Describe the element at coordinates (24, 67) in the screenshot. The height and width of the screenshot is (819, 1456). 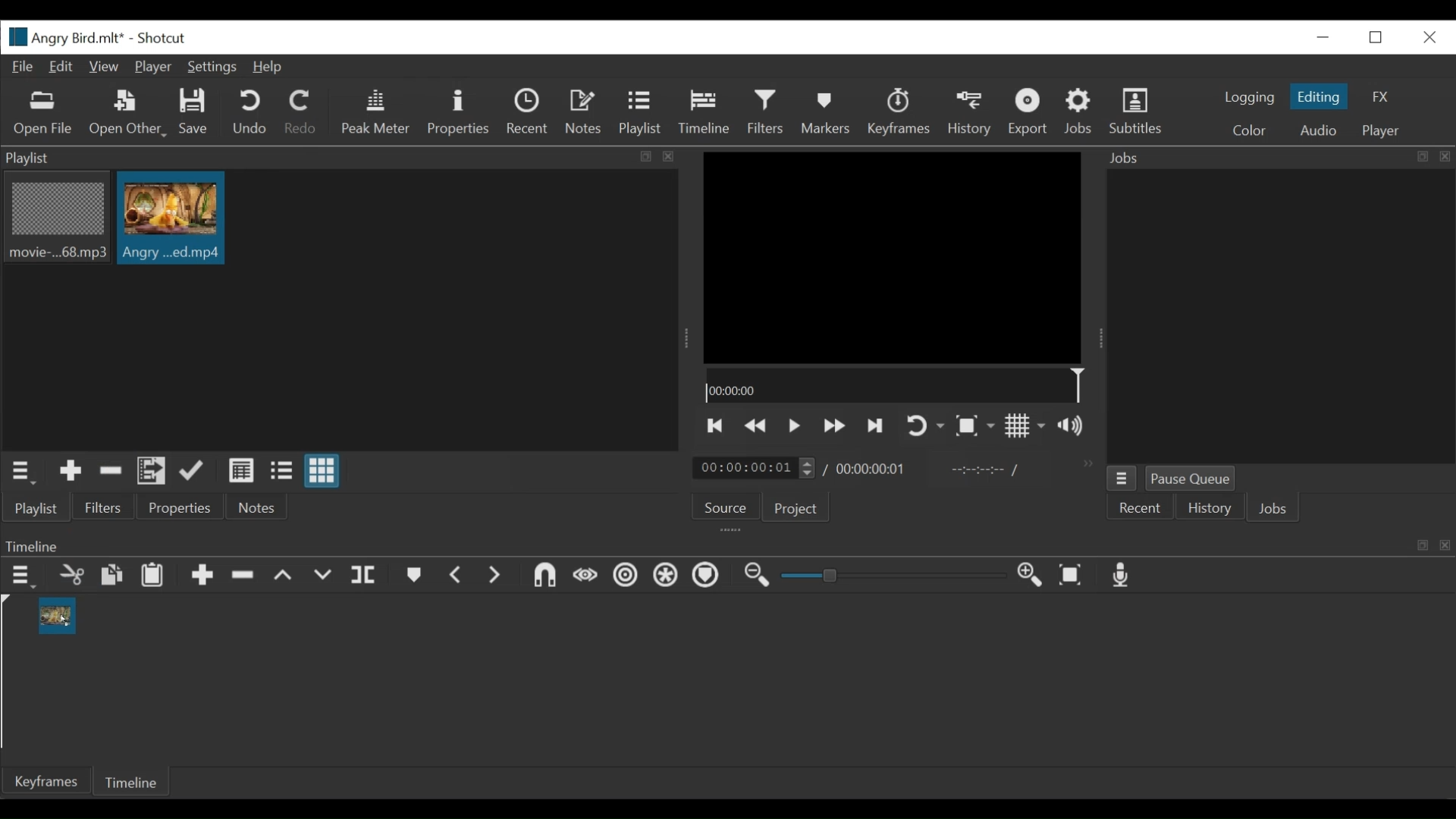
I see `File` at that location.